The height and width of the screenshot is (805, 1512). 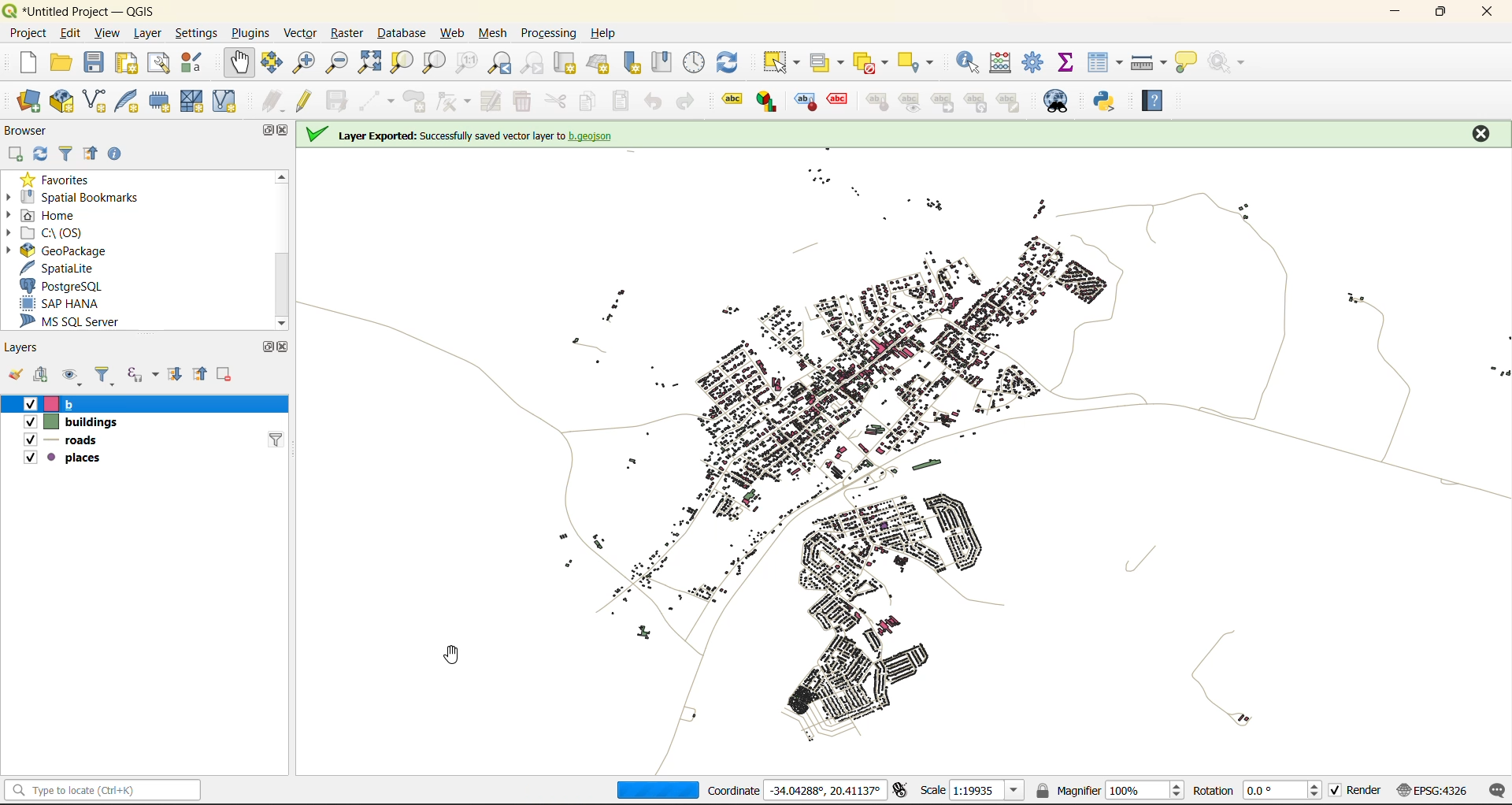 What do you see at coordinates (107, 35) in the screenshot?
I see `view` at bounding box center [107, 35].